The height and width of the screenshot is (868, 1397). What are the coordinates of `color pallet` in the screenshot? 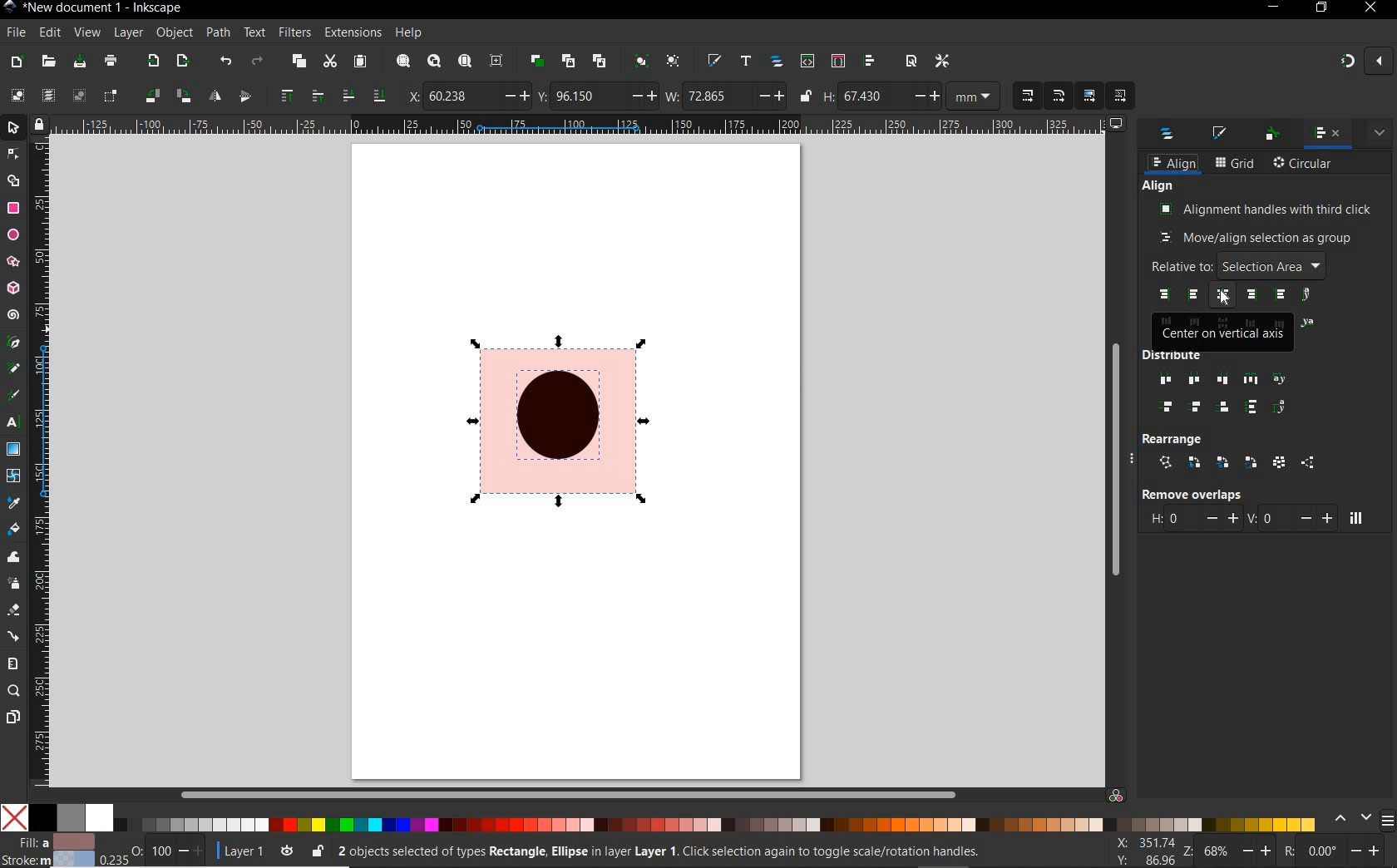 It's located at (689, 818).